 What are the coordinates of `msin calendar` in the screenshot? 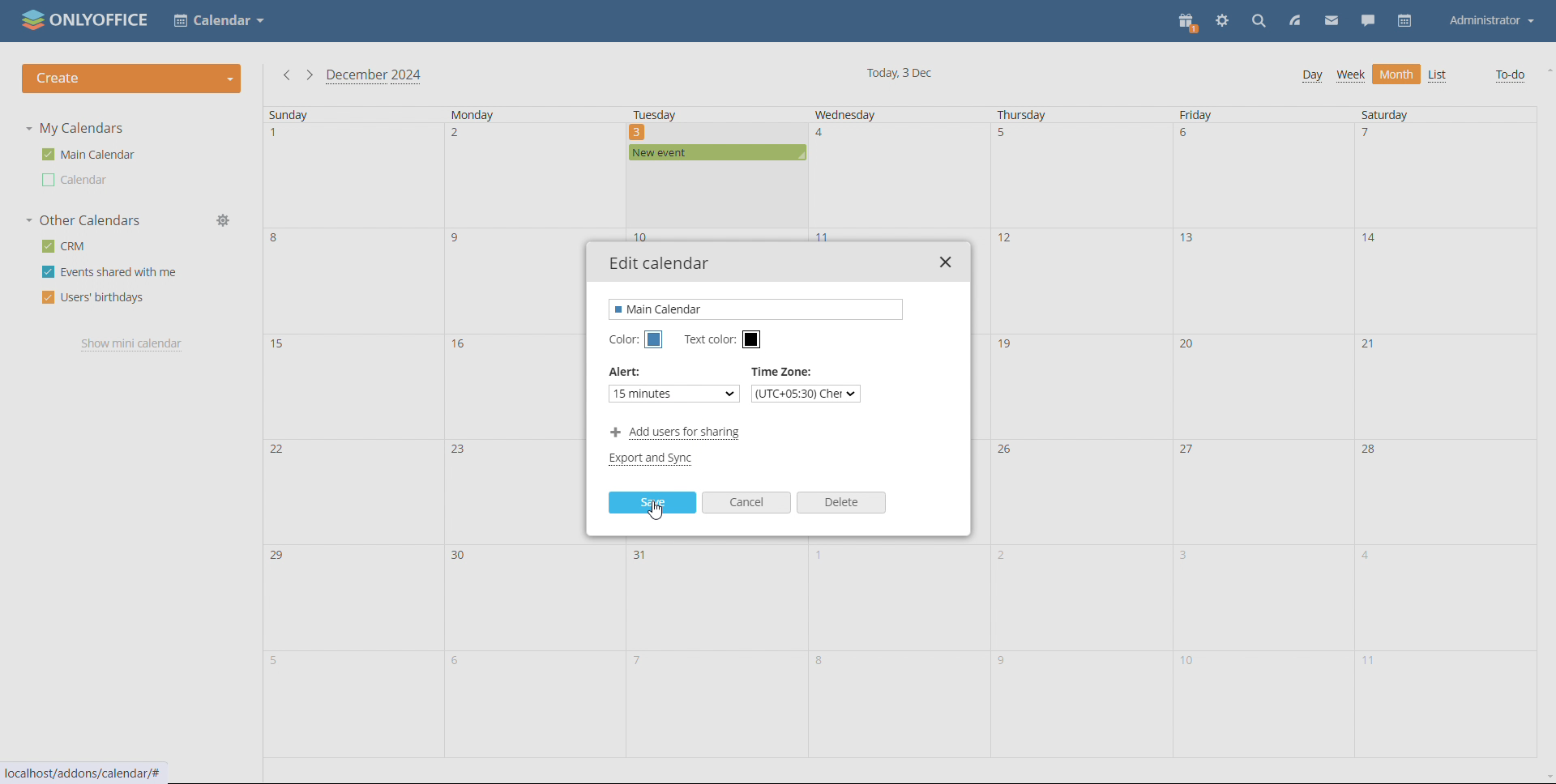 It's located at (88, 155).